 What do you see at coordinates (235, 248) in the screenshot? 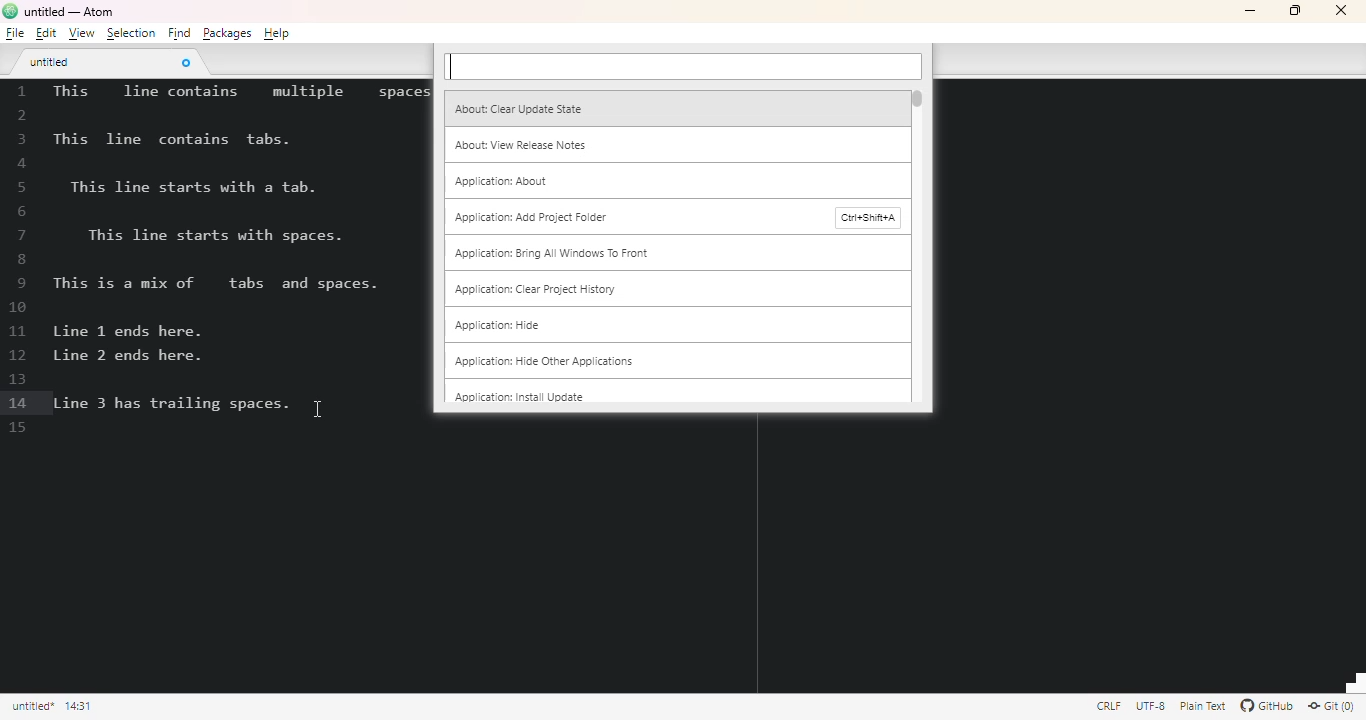
I see `demo text` at bounding box center [235, 248].